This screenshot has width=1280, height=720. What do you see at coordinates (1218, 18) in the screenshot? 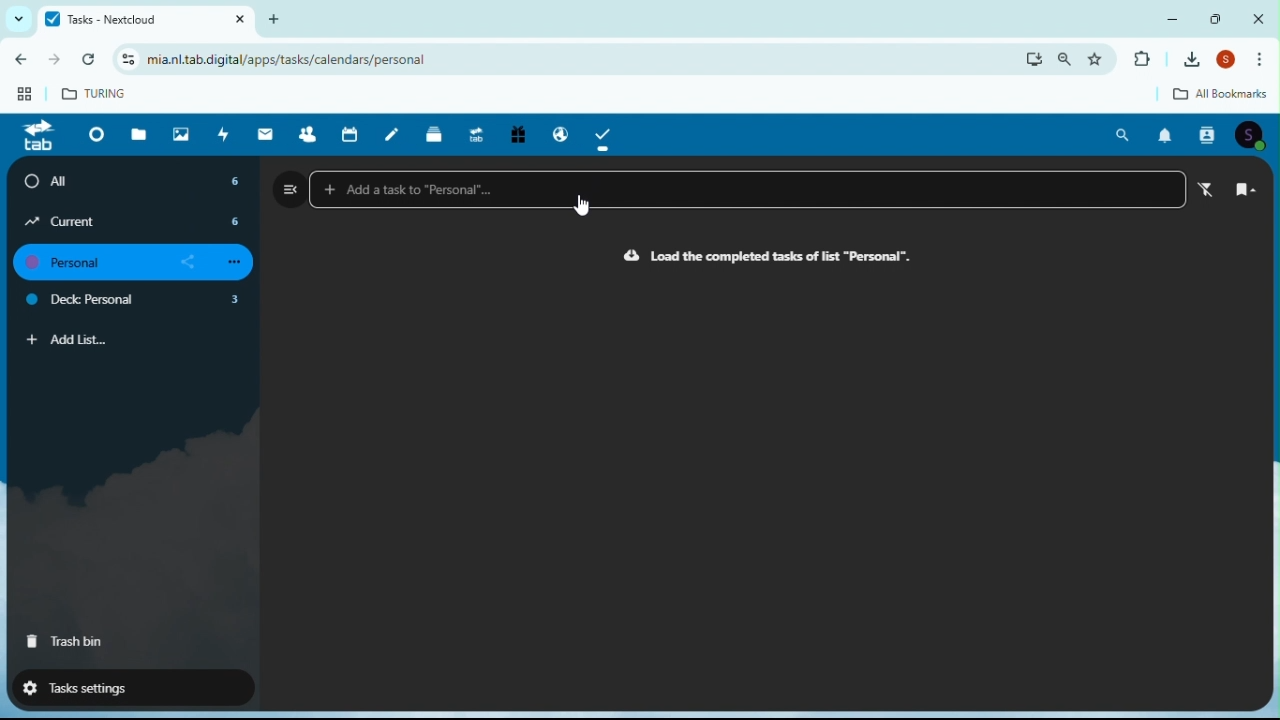
I see `Restore` at bounding box center [1218, 18].